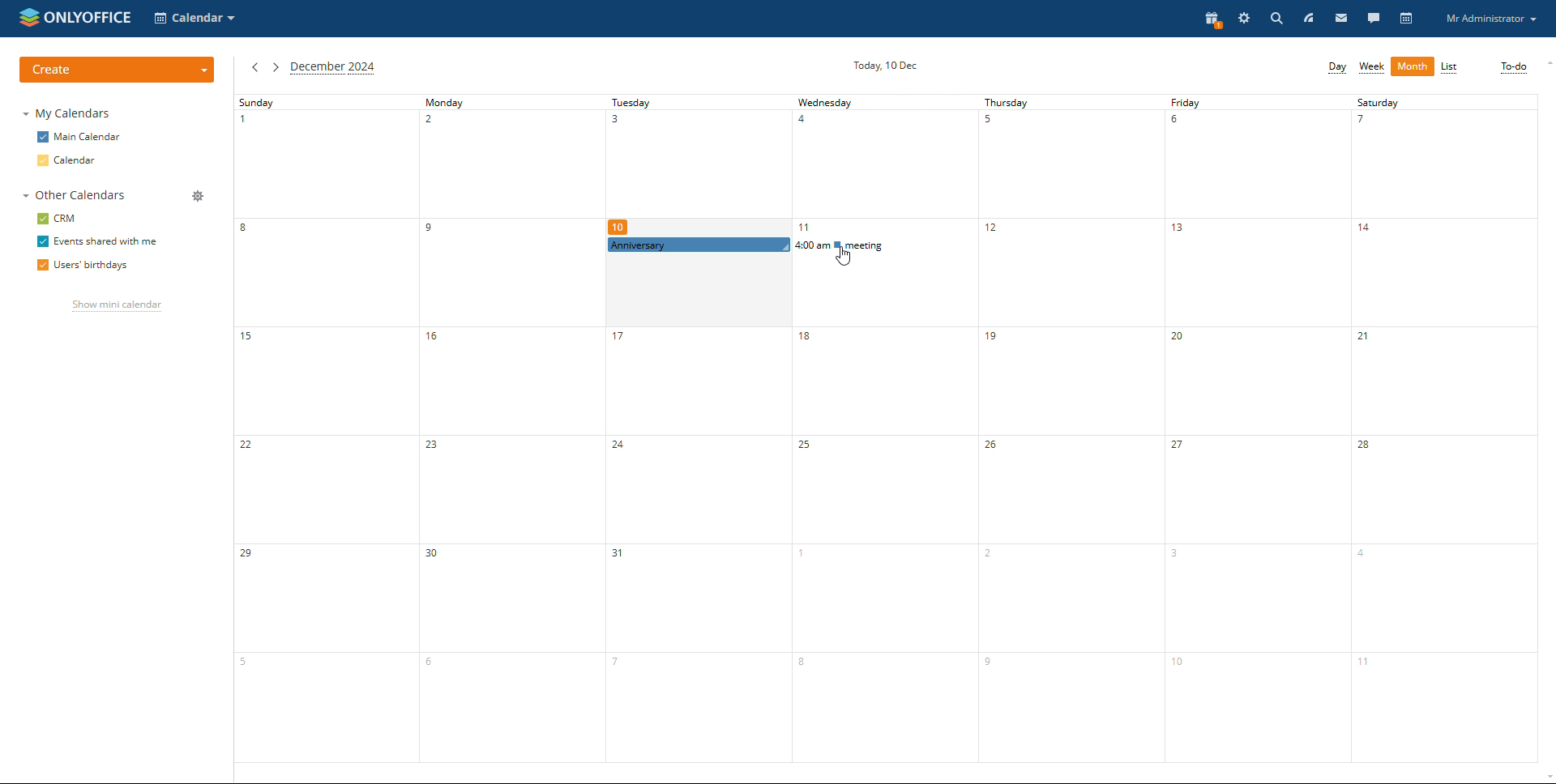 The width and height of the screenshot is (1556, 784). I want to click on main calendar, so click(79, 137).